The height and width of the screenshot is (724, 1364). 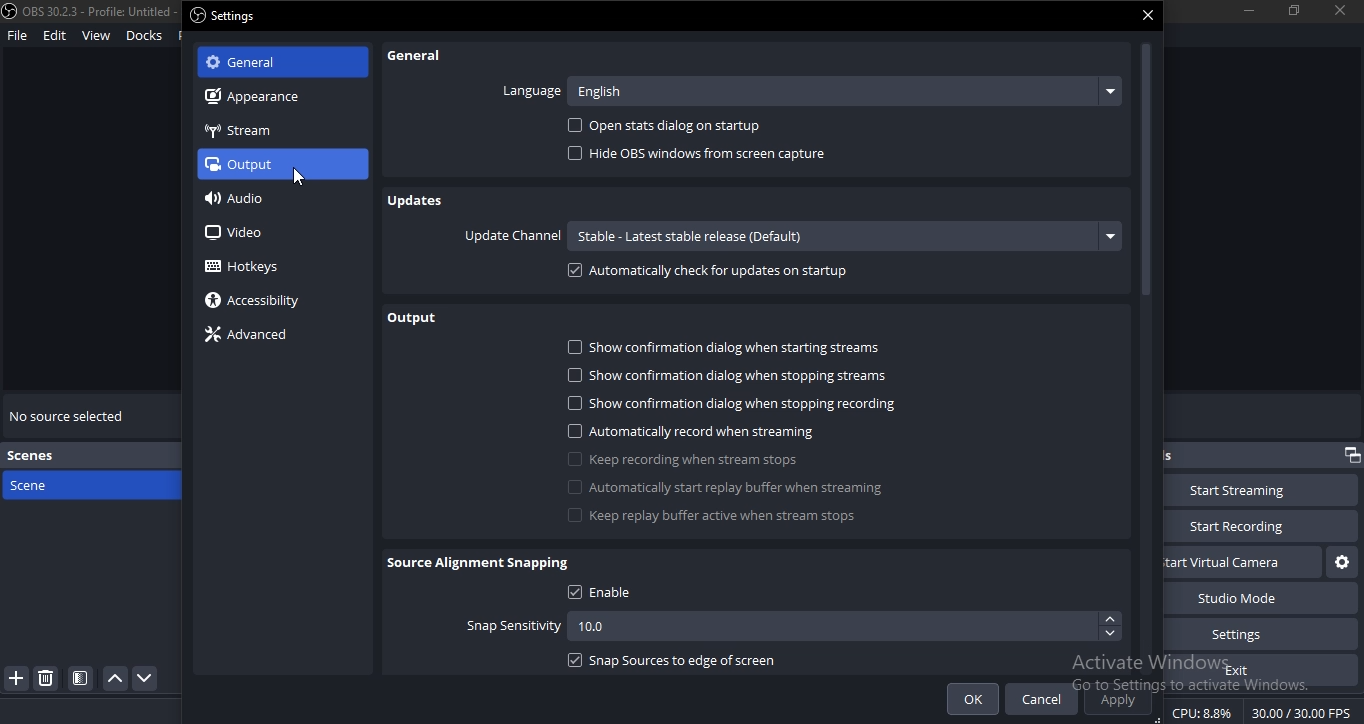 I want to click on exit, so click(x=1242, y=670).